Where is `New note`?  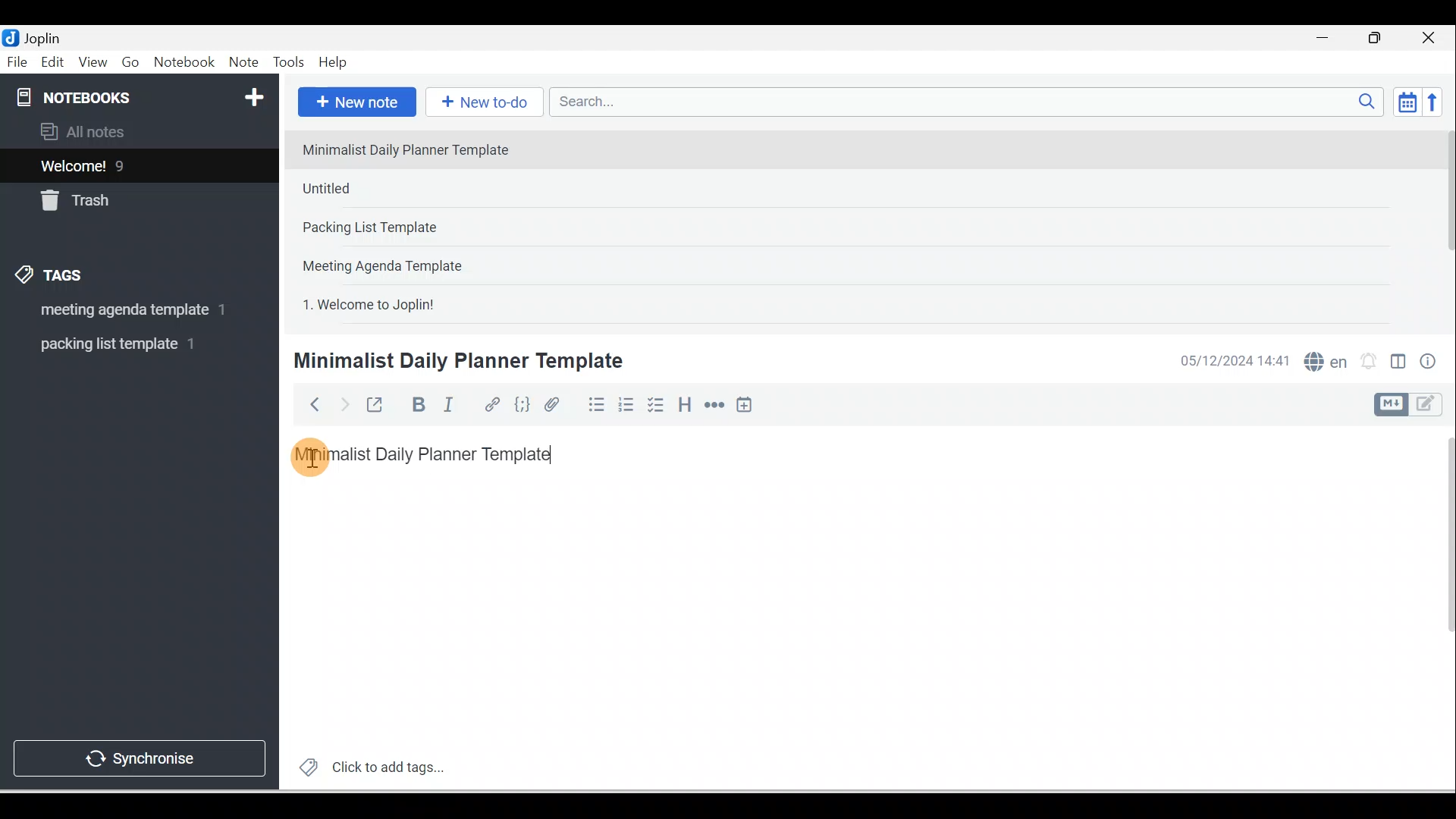
New note is located at coordinates (354, 103).